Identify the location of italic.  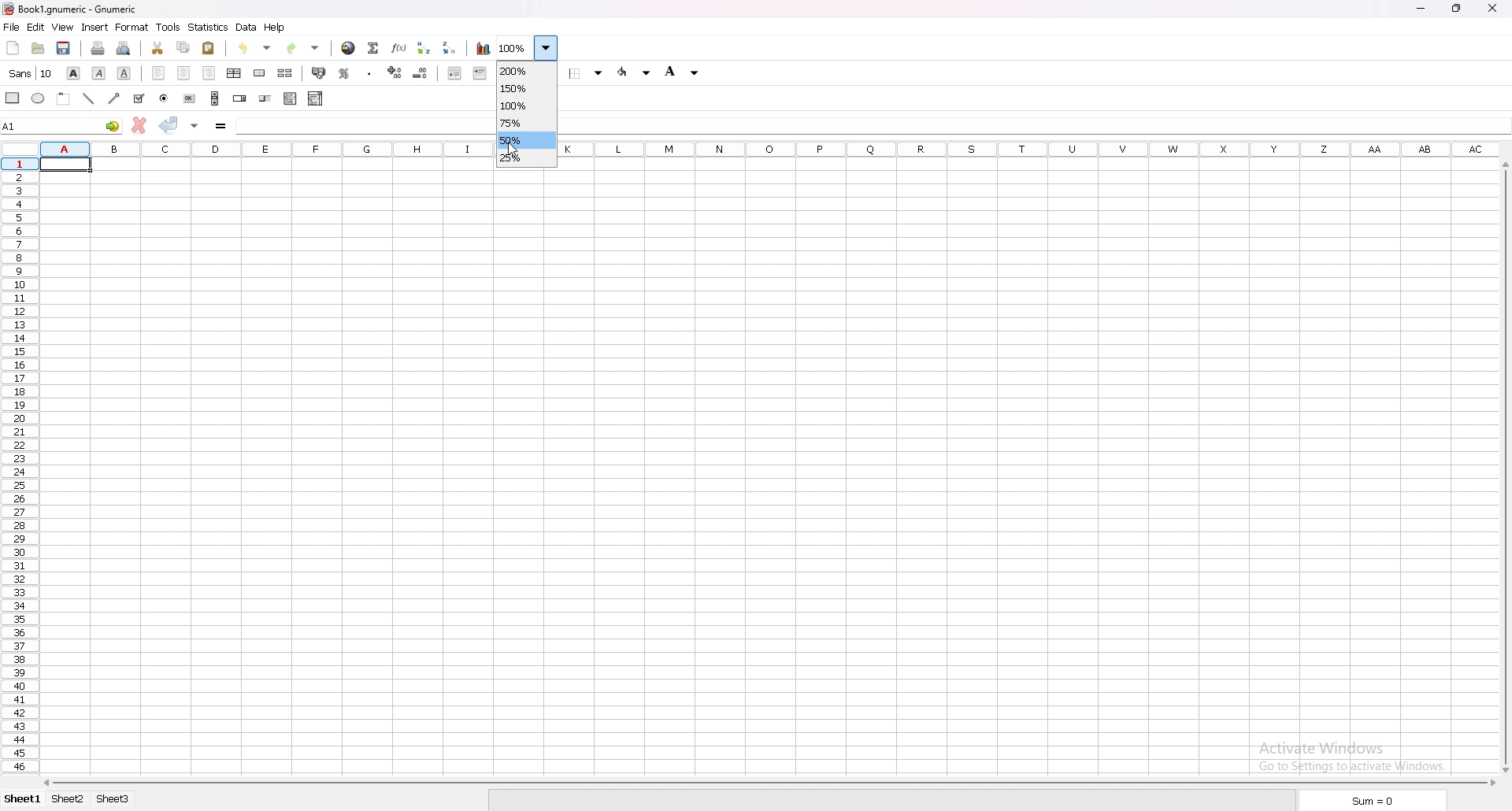
(99, 73).